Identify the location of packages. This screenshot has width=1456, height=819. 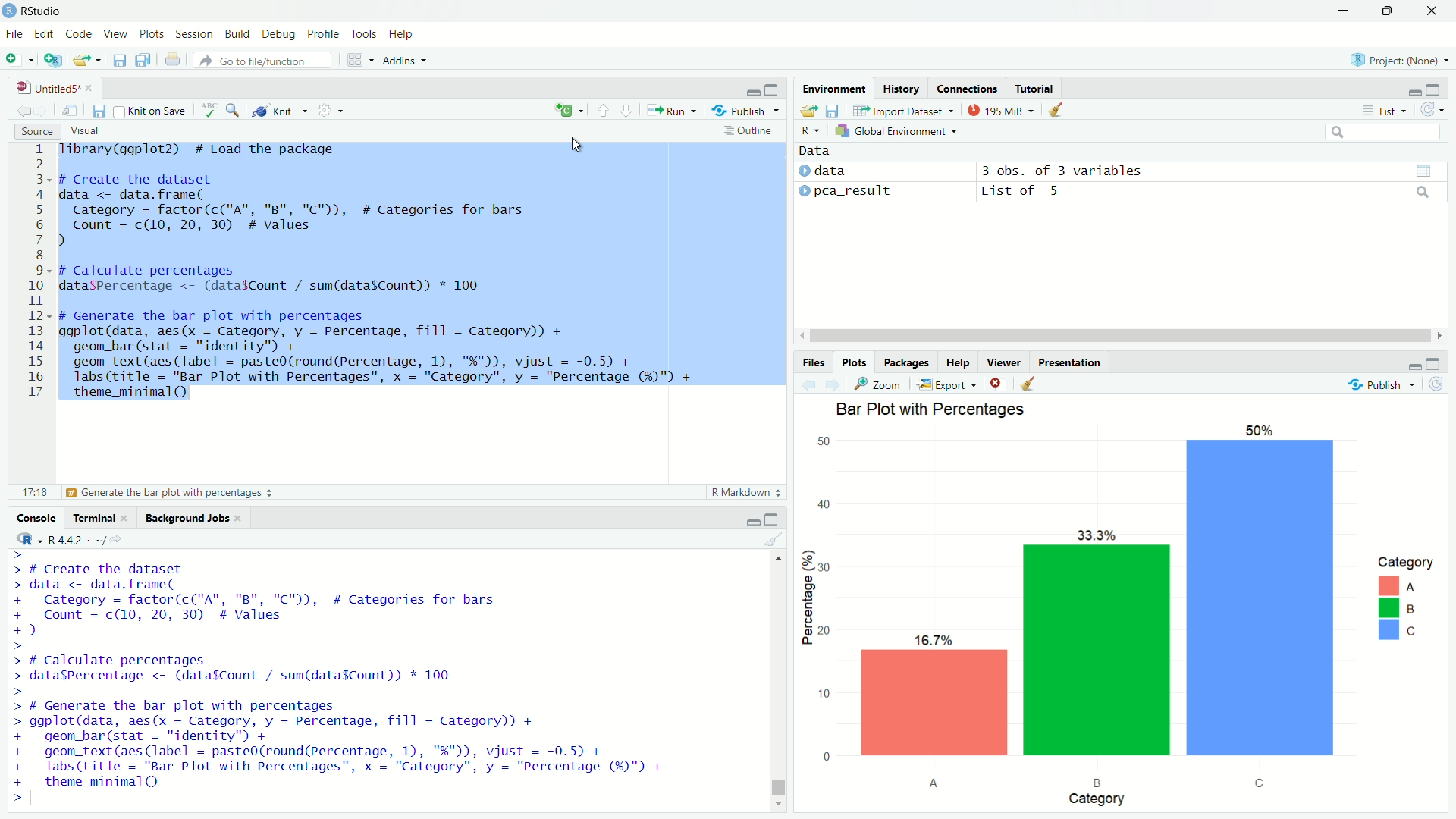
(908, 362).